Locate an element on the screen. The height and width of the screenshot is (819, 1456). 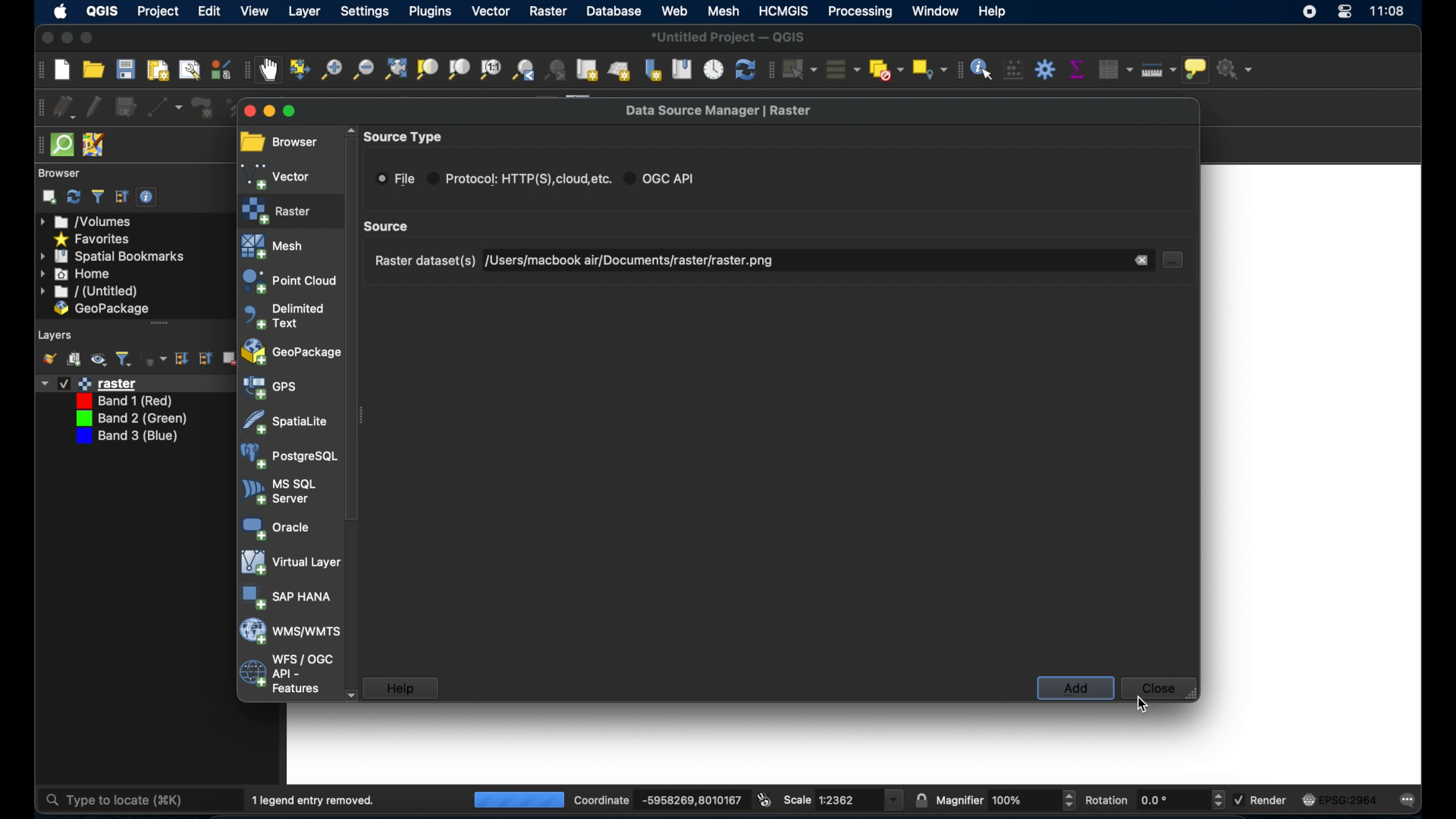
 is located at coordinates (1012, 800).